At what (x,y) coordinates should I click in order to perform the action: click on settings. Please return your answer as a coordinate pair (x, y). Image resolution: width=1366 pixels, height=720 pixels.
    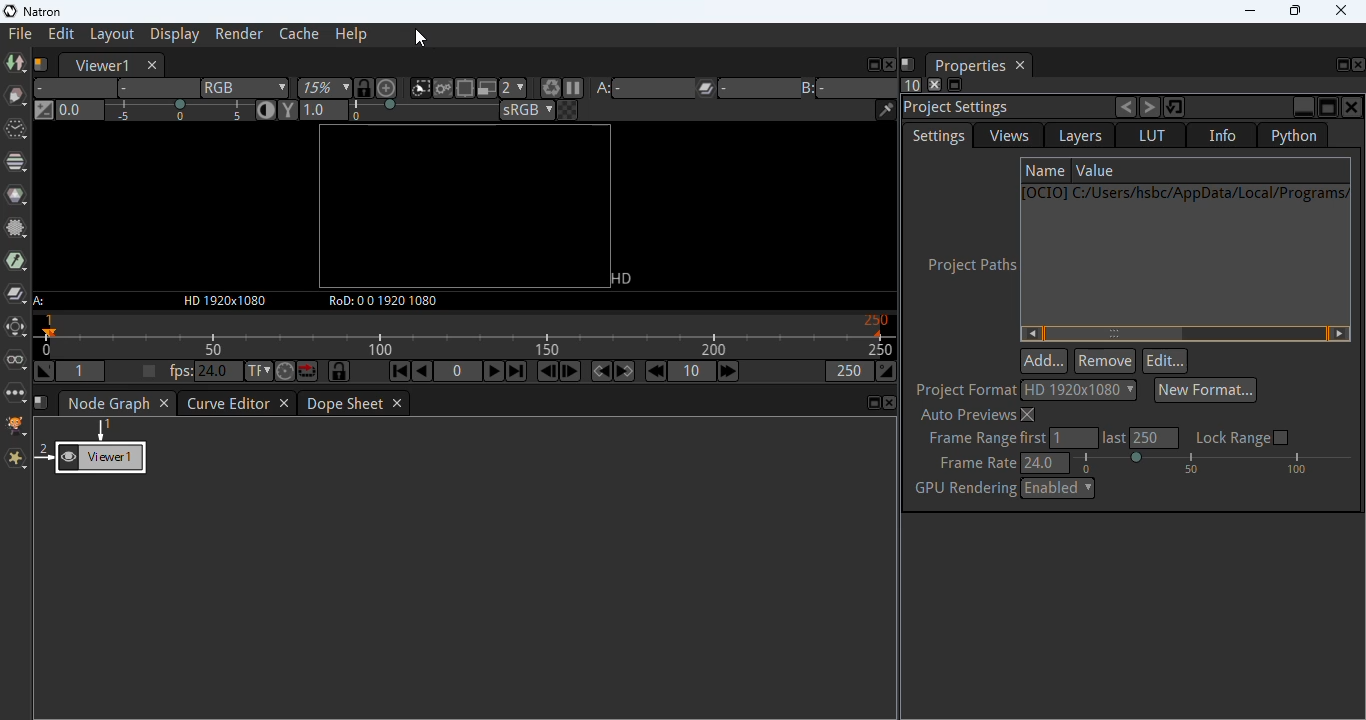
    Looking at the image, I should click on (938, 136).